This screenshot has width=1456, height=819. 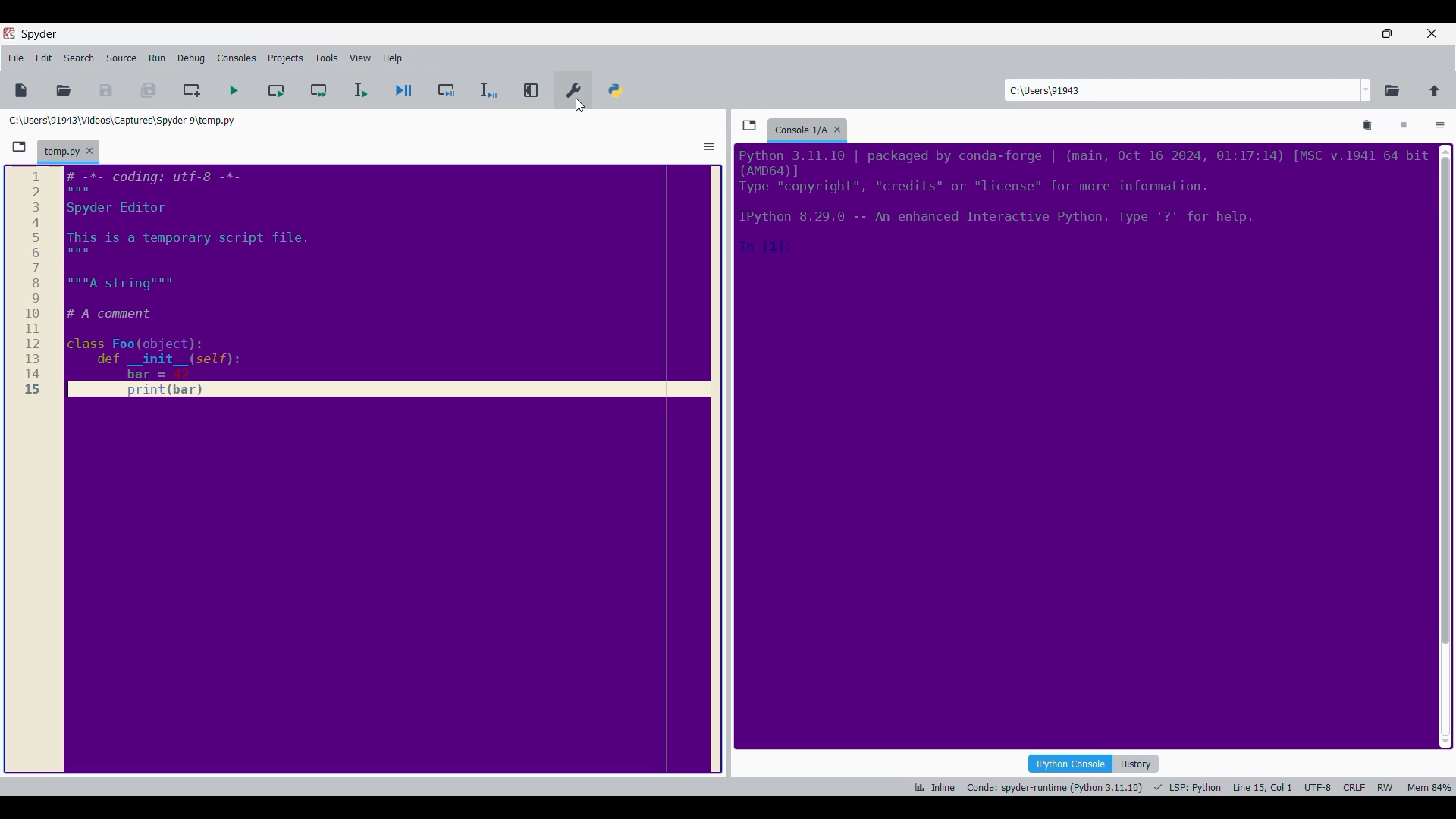 I want to click on View menu, so click(x=361, y=58).